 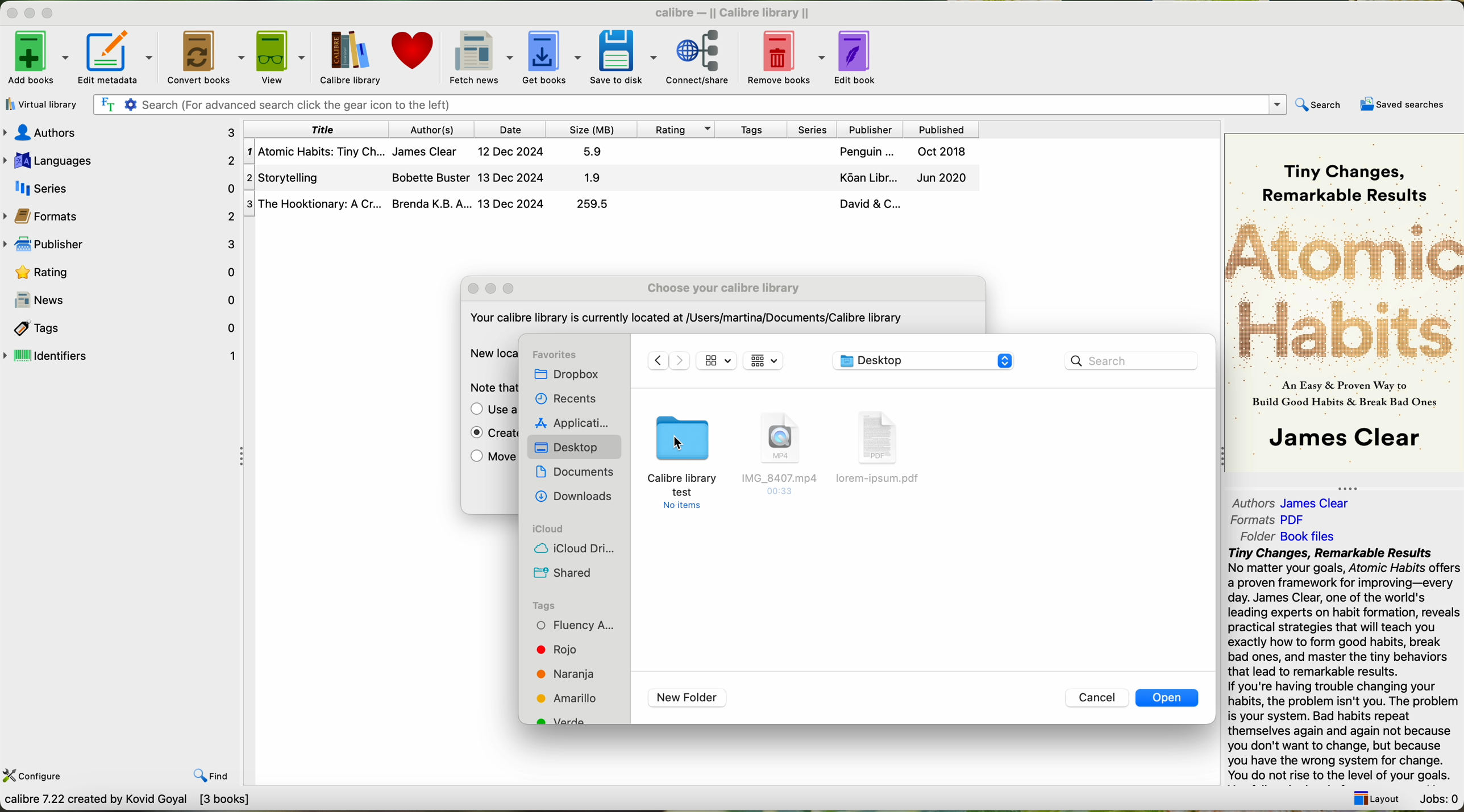 What do you see at coordinates (924, 360) in the screenshot?
I see `calibre library location` at bounding box center [924, 360].